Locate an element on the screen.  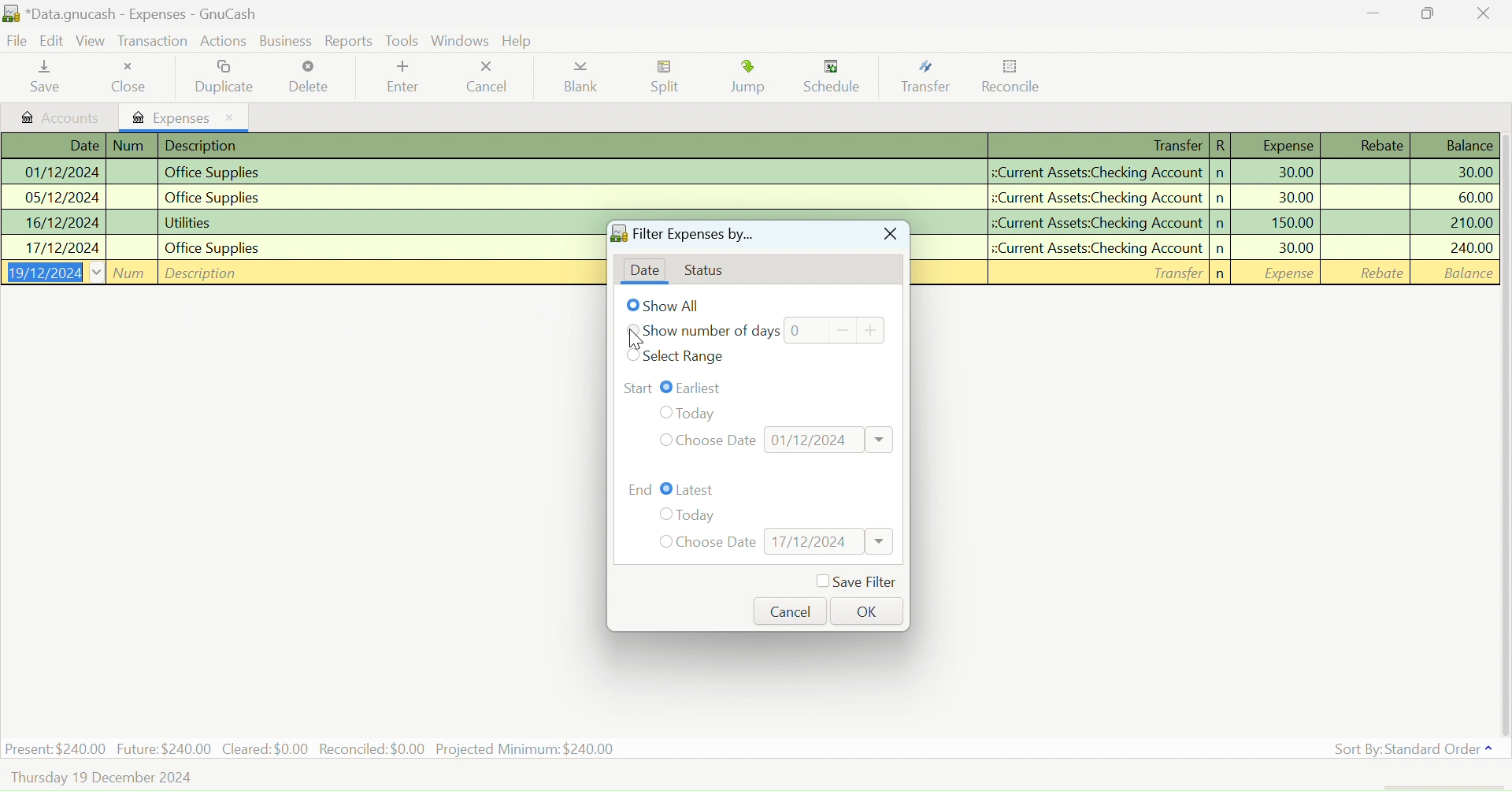
Minimize is located at coordinates (1429, 13).